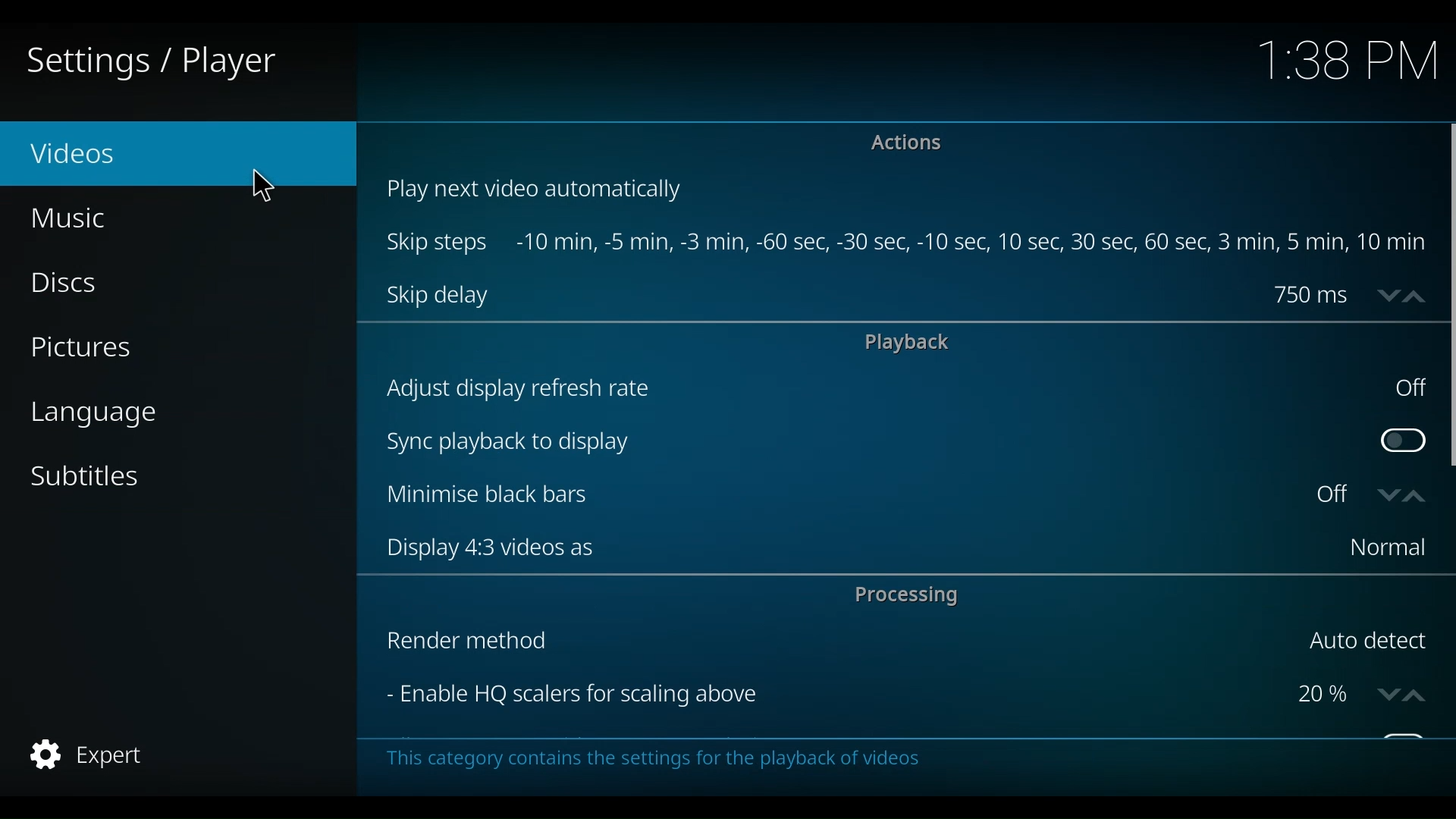  Describe the element at coordinates (1348, 63) in the screenshot. I see `Time` at that location.